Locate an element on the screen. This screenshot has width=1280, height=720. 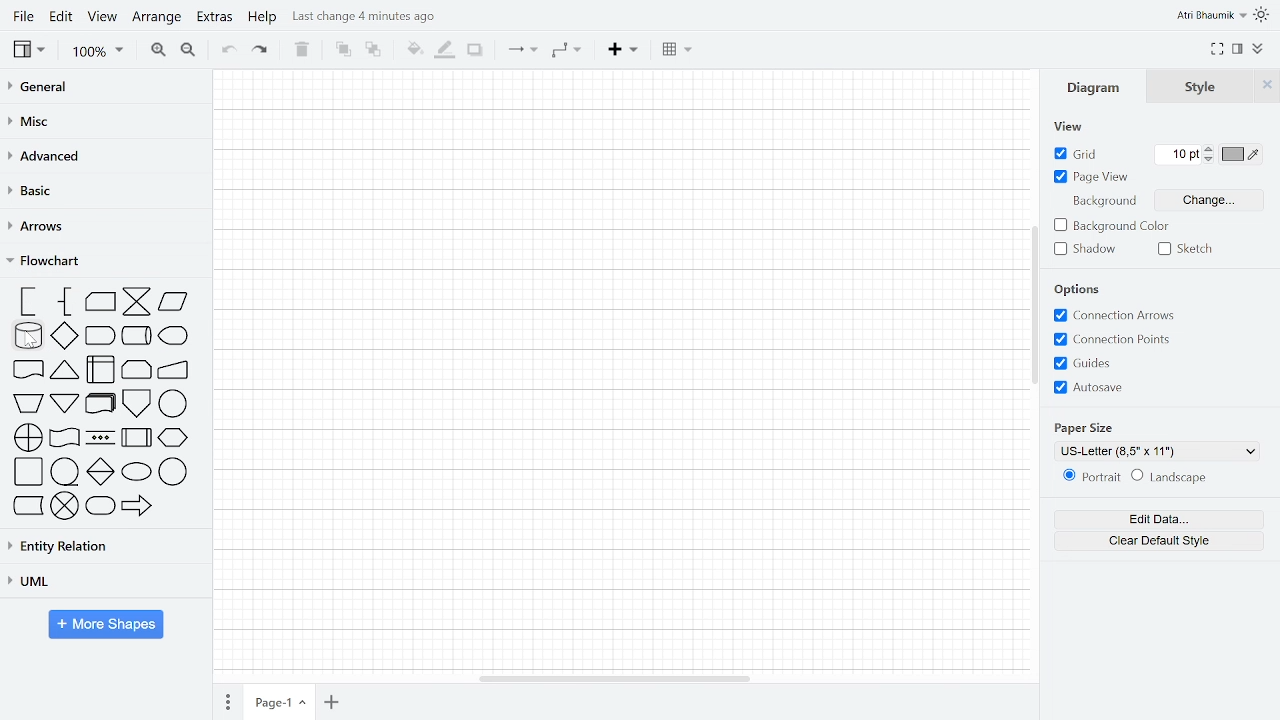
Fullscreen is located at coordinates (1218, 50).